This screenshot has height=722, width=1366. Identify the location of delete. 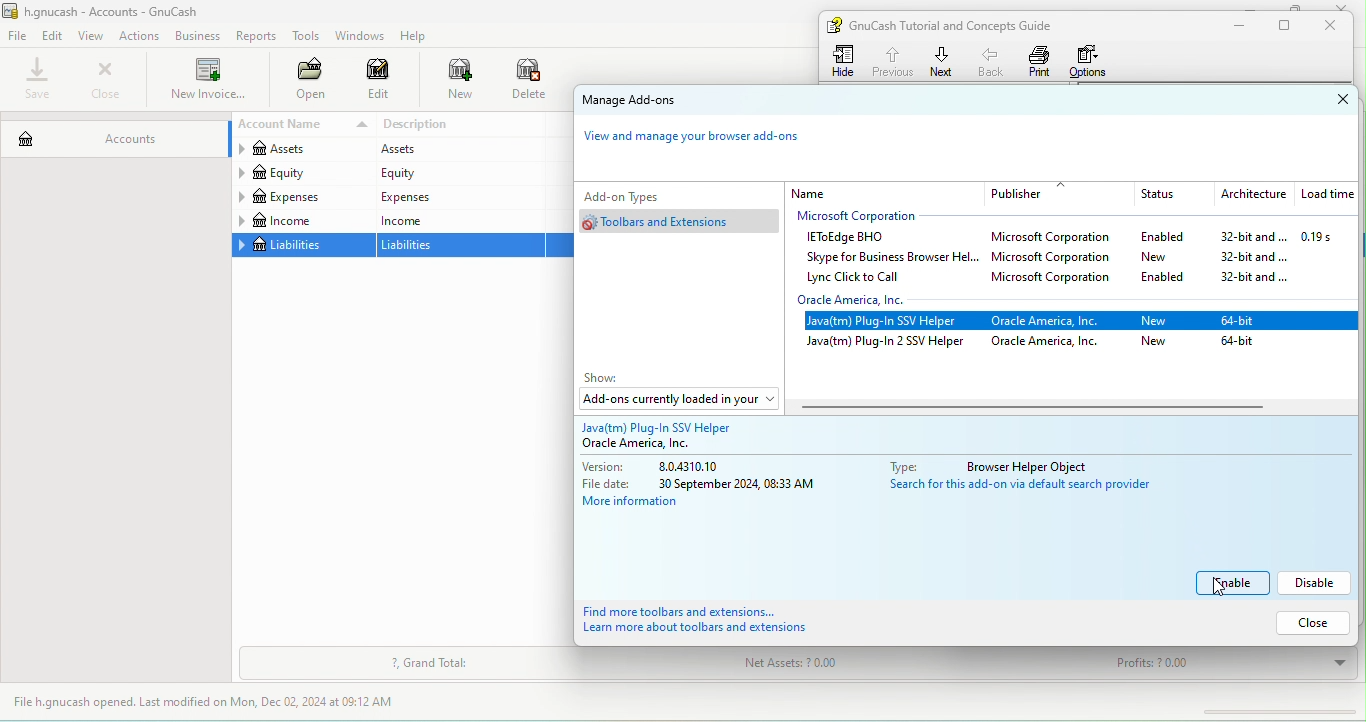
(531, 81).